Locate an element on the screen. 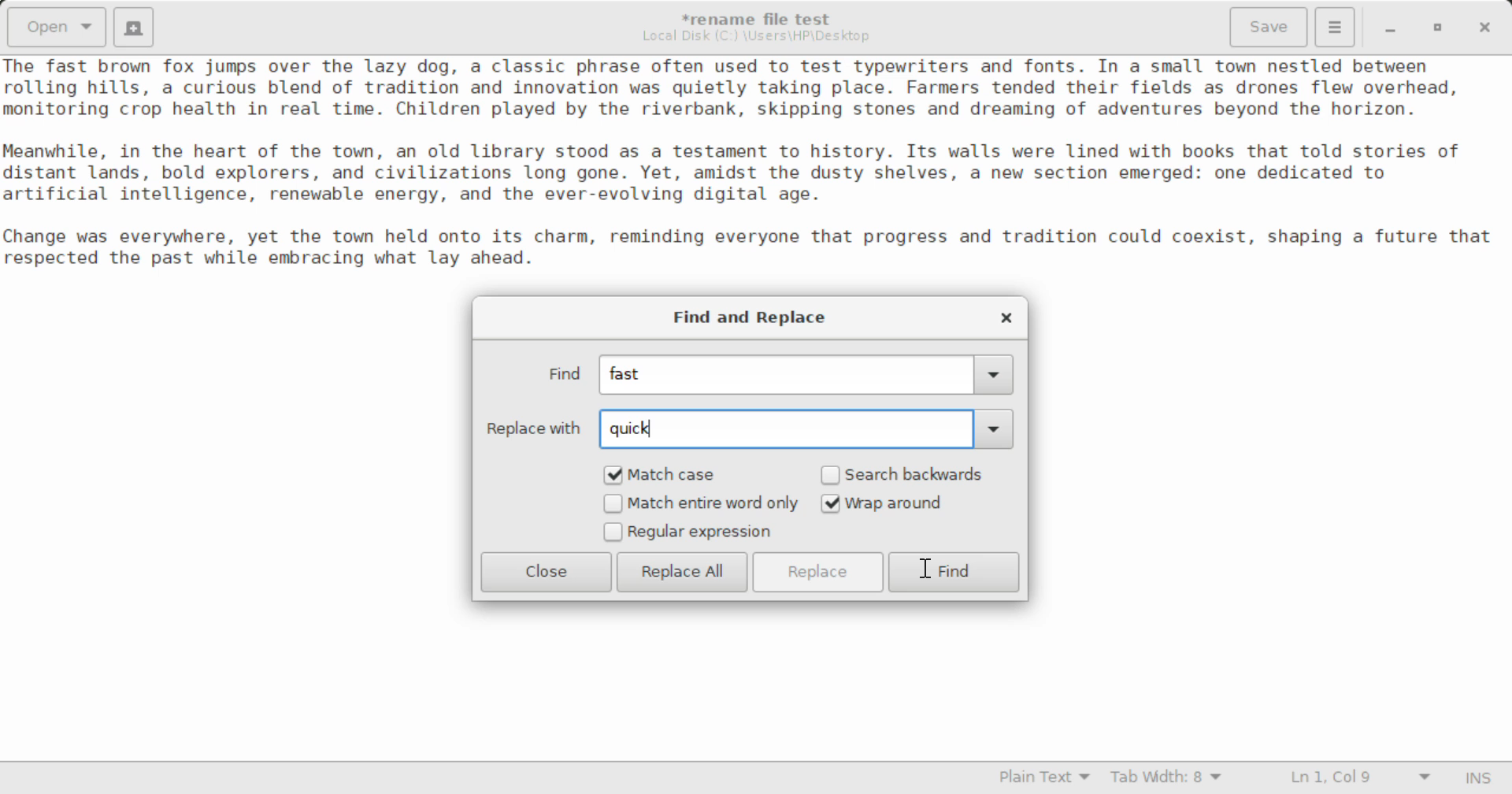 The image size is (1512, 794). Match Case is located at coordinates (671, 474).